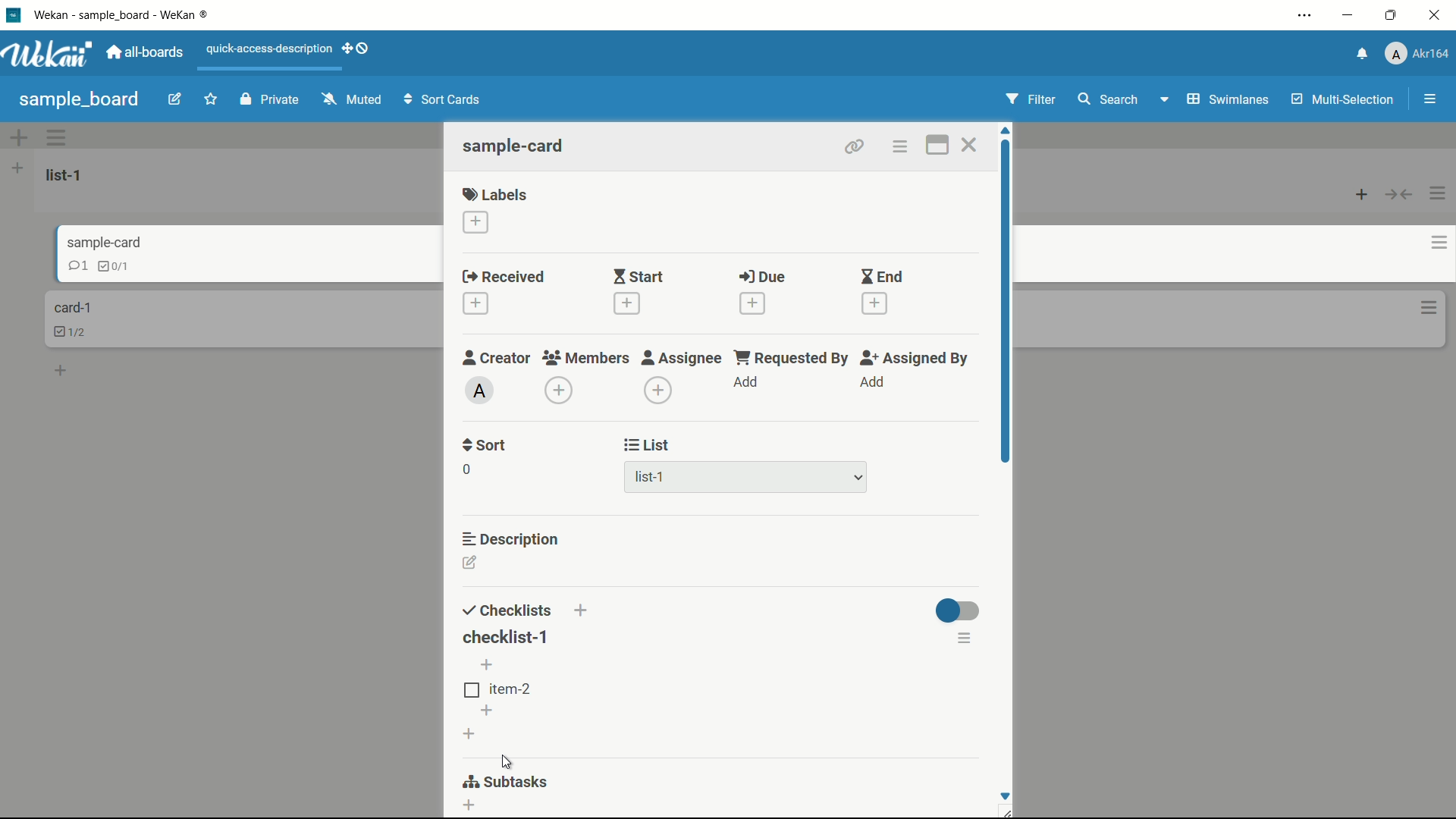 The image size is (1456, 819). What do you see at coordinates (353, 99) in the screenshot?
I see `muted` at bounding box center [353, 99].